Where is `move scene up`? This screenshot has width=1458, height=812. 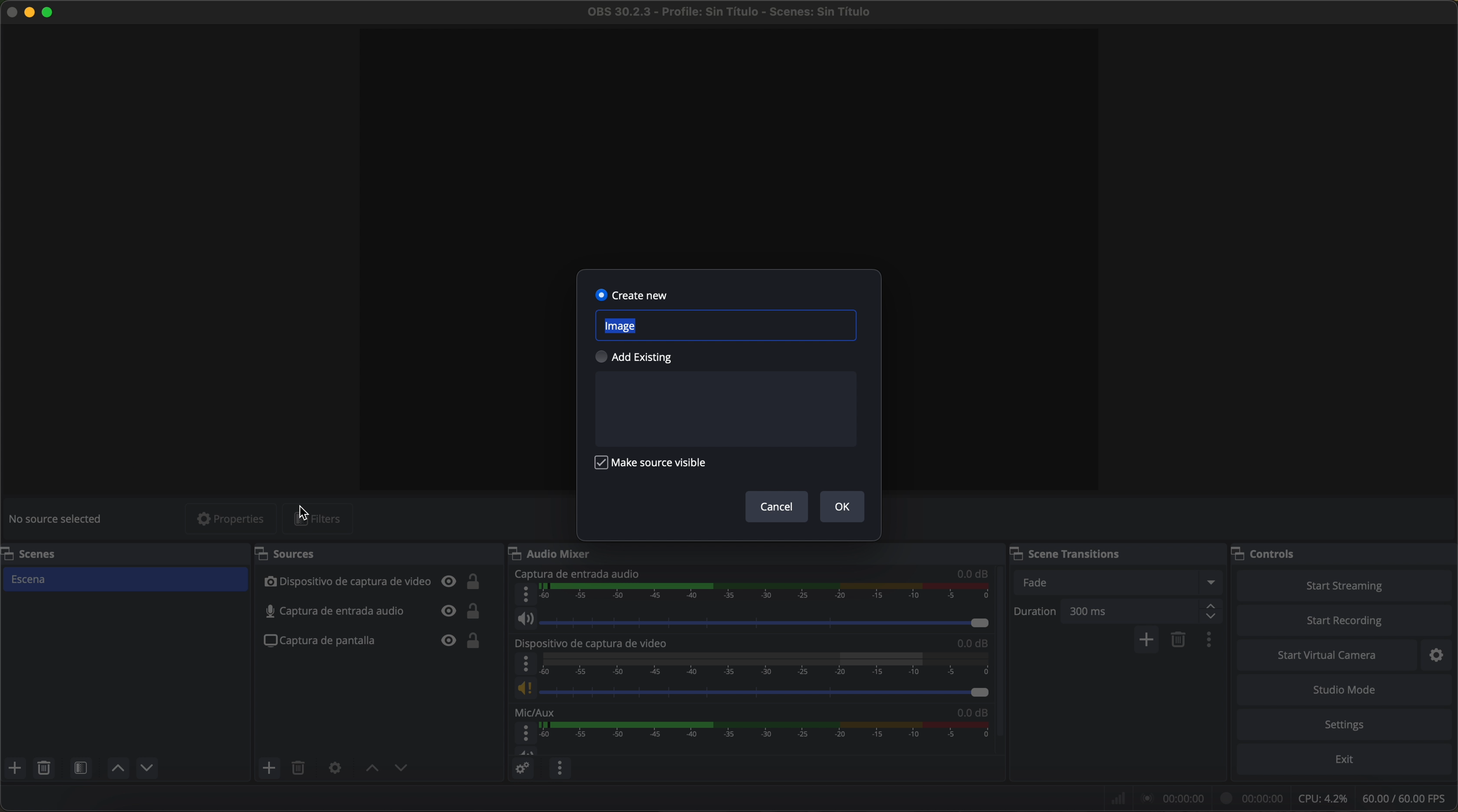 move scene up is located at coordinates (118, 769).